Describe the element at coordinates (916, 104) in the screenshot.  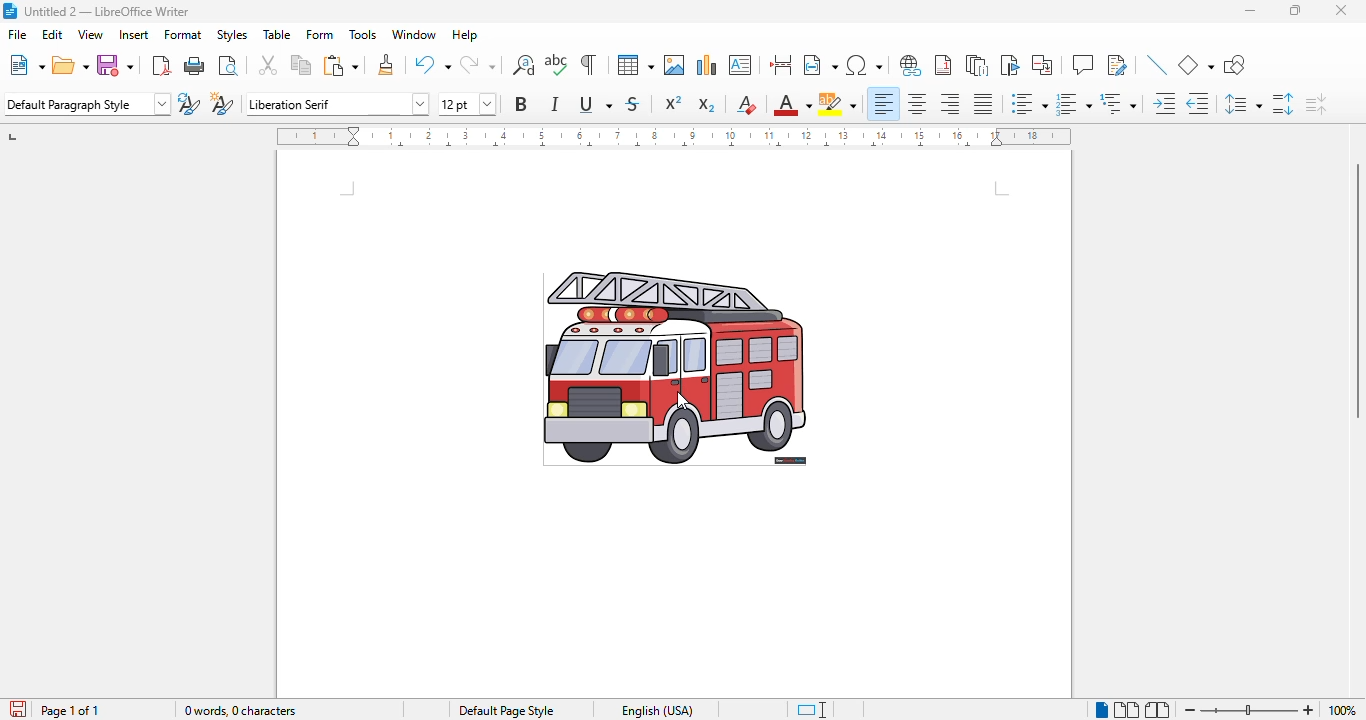
I see `align center` at that location.